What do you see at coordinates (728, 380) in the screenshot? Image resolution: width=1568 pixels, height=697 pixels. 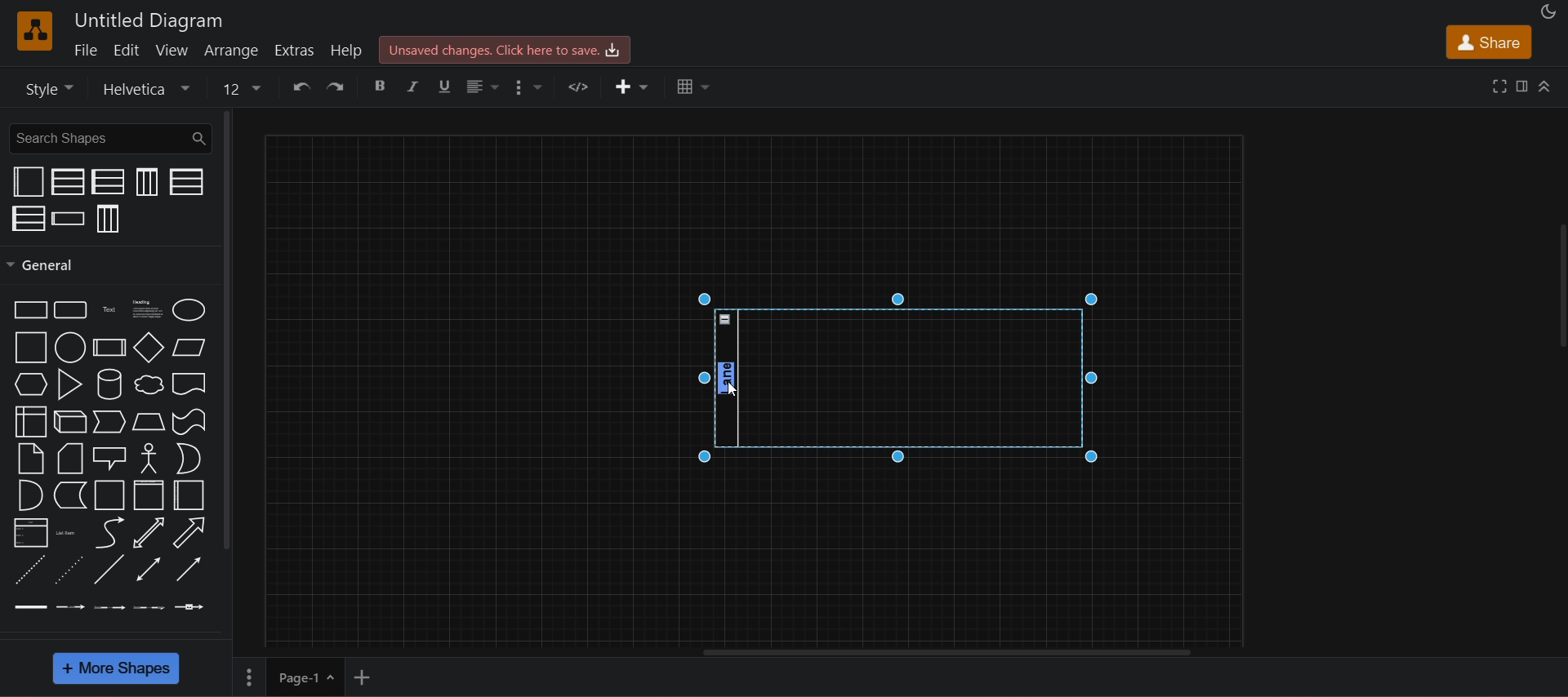 I see `text` at bounding box center [728, 380].